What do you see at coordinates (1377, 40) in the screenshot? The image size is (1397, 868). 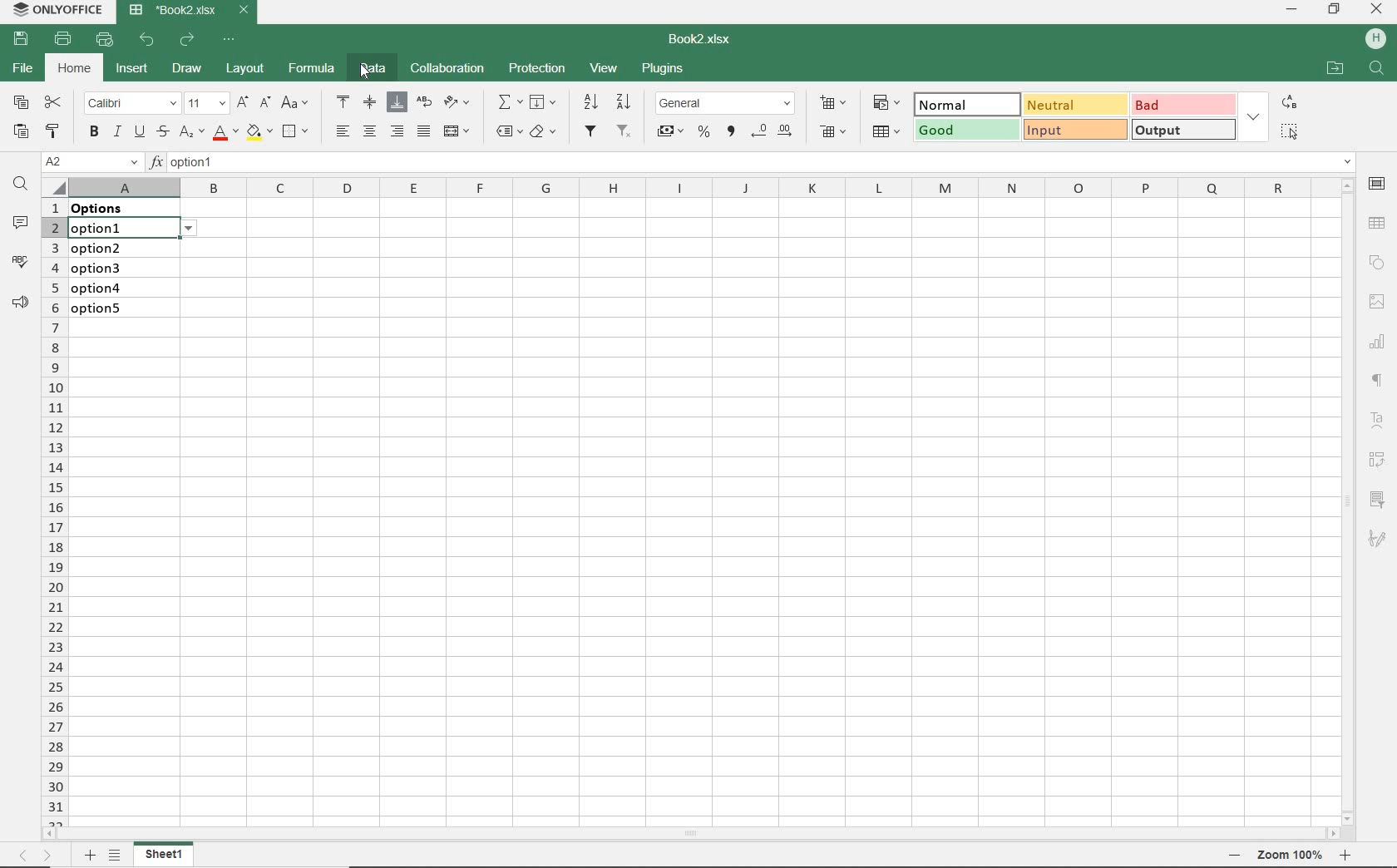 I see `HP` at bounding box center [1377, 40].